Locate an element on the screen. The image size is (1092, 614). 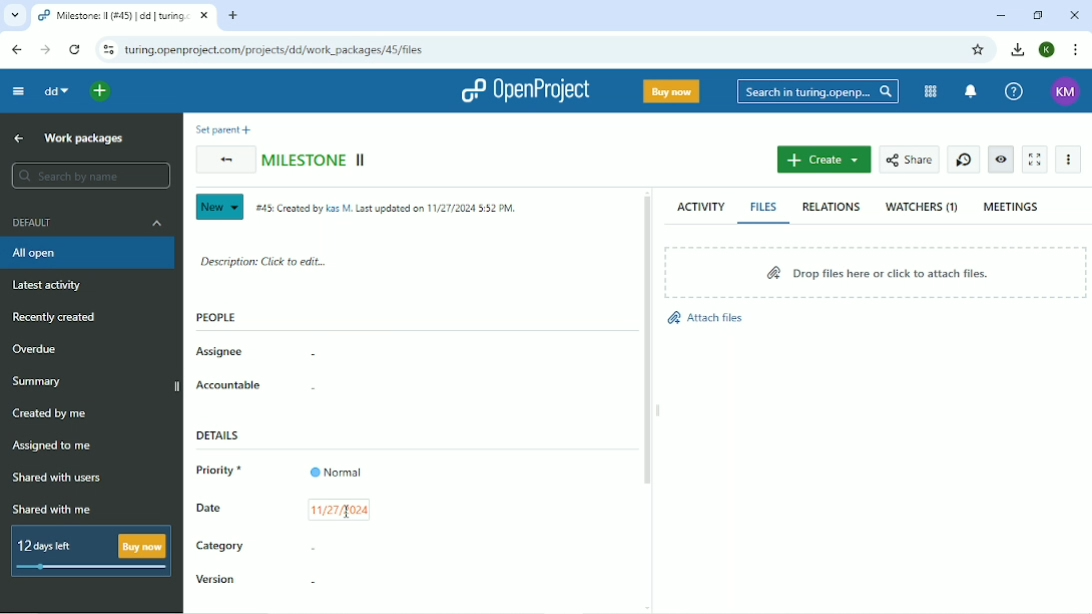
Meetings is located at coordinates (1012, 206).